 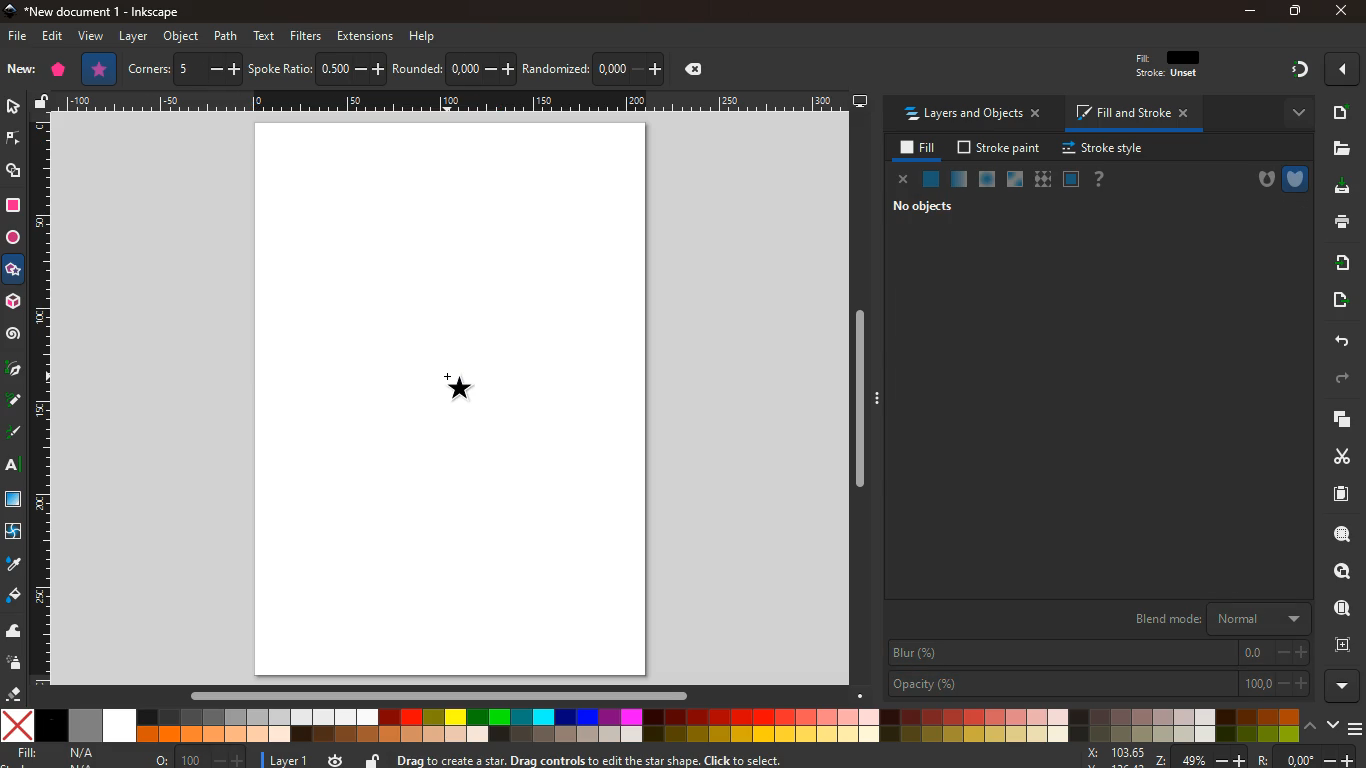 What do you see at coordinates (1214, 758) in the screenshot?
I see `zoom` at bounding box center [1214, 758].